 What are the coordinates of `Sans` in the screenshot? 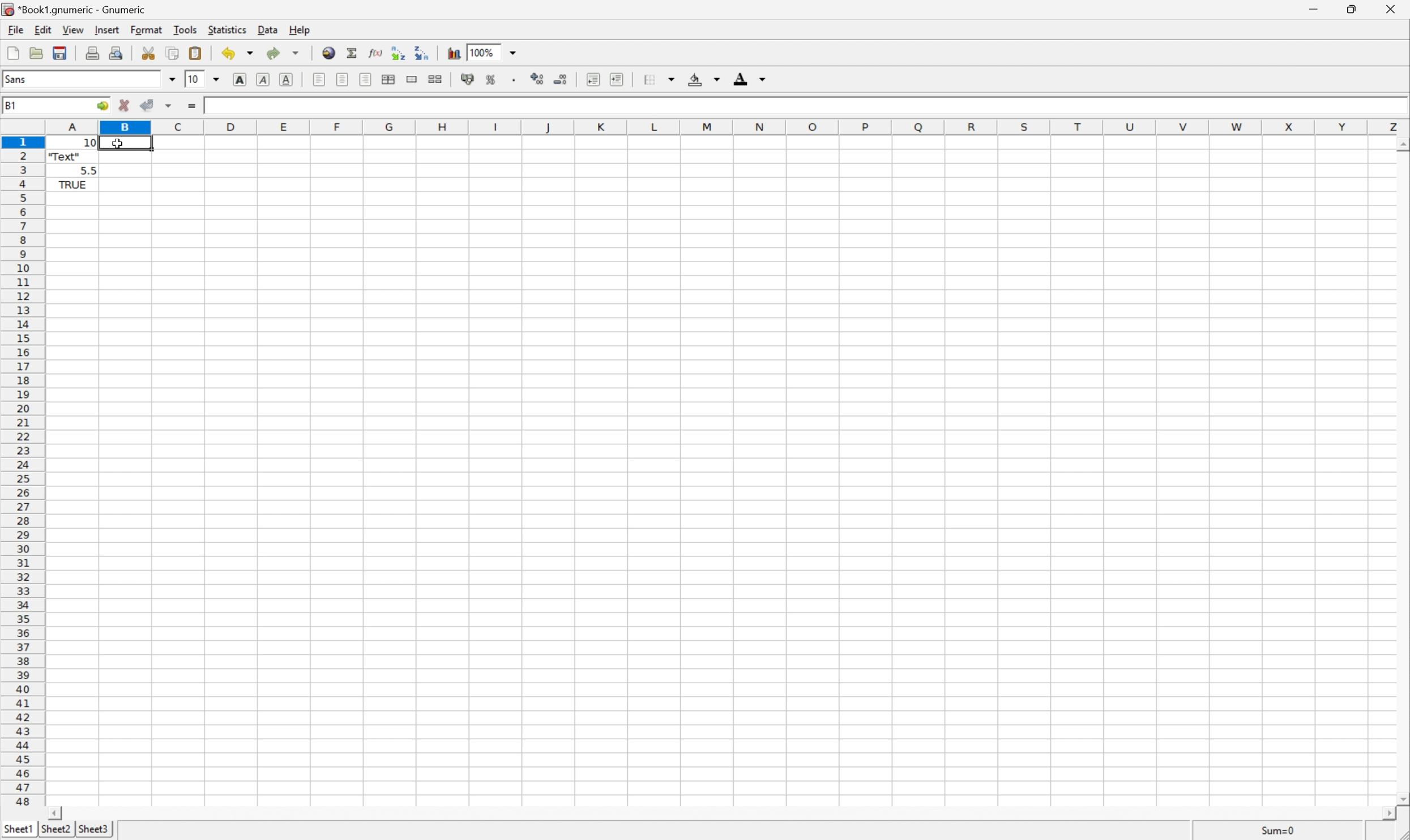 It's located at (17, 78).